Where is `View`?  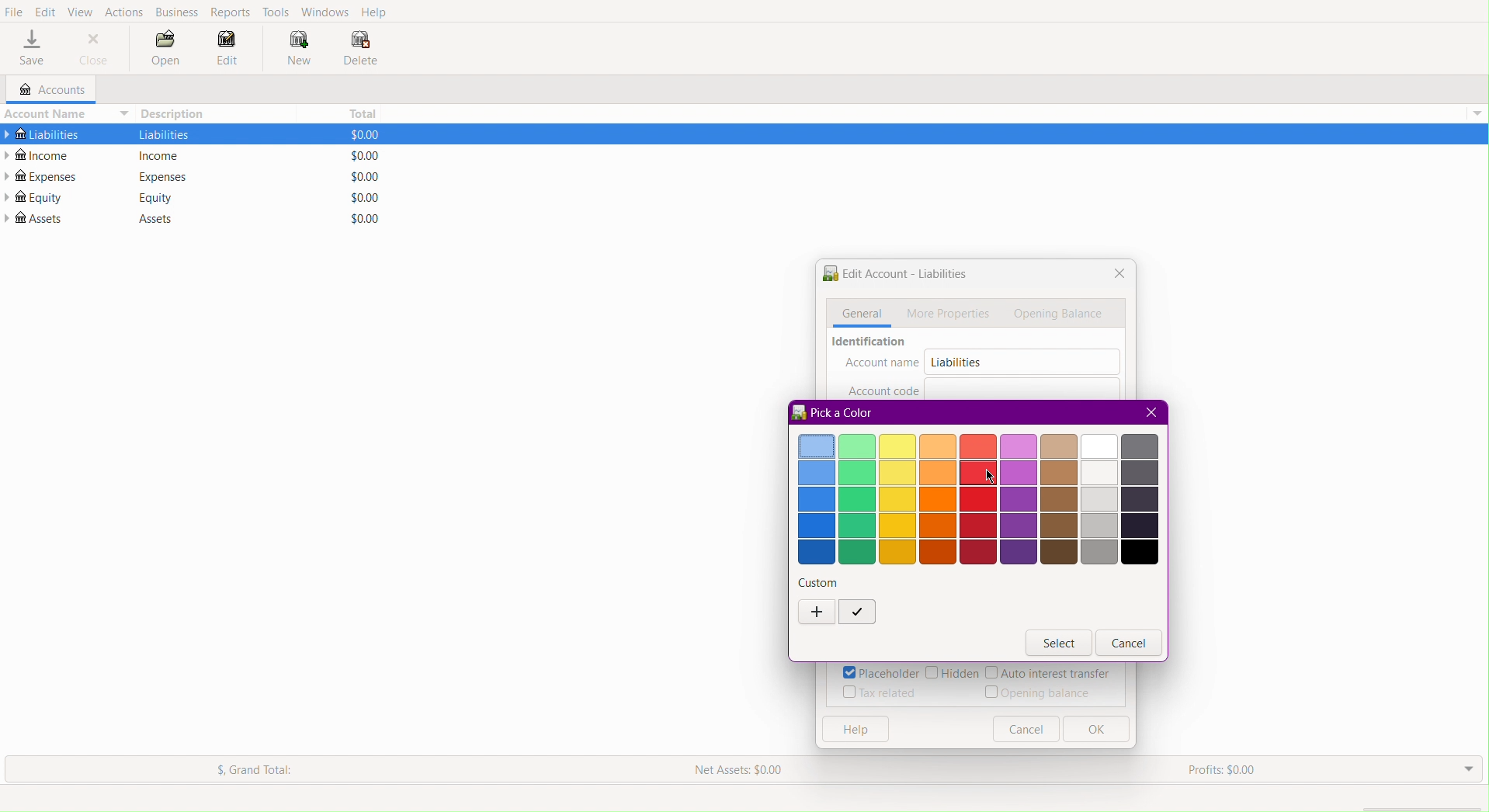
View is located at coordinates (82, 10).